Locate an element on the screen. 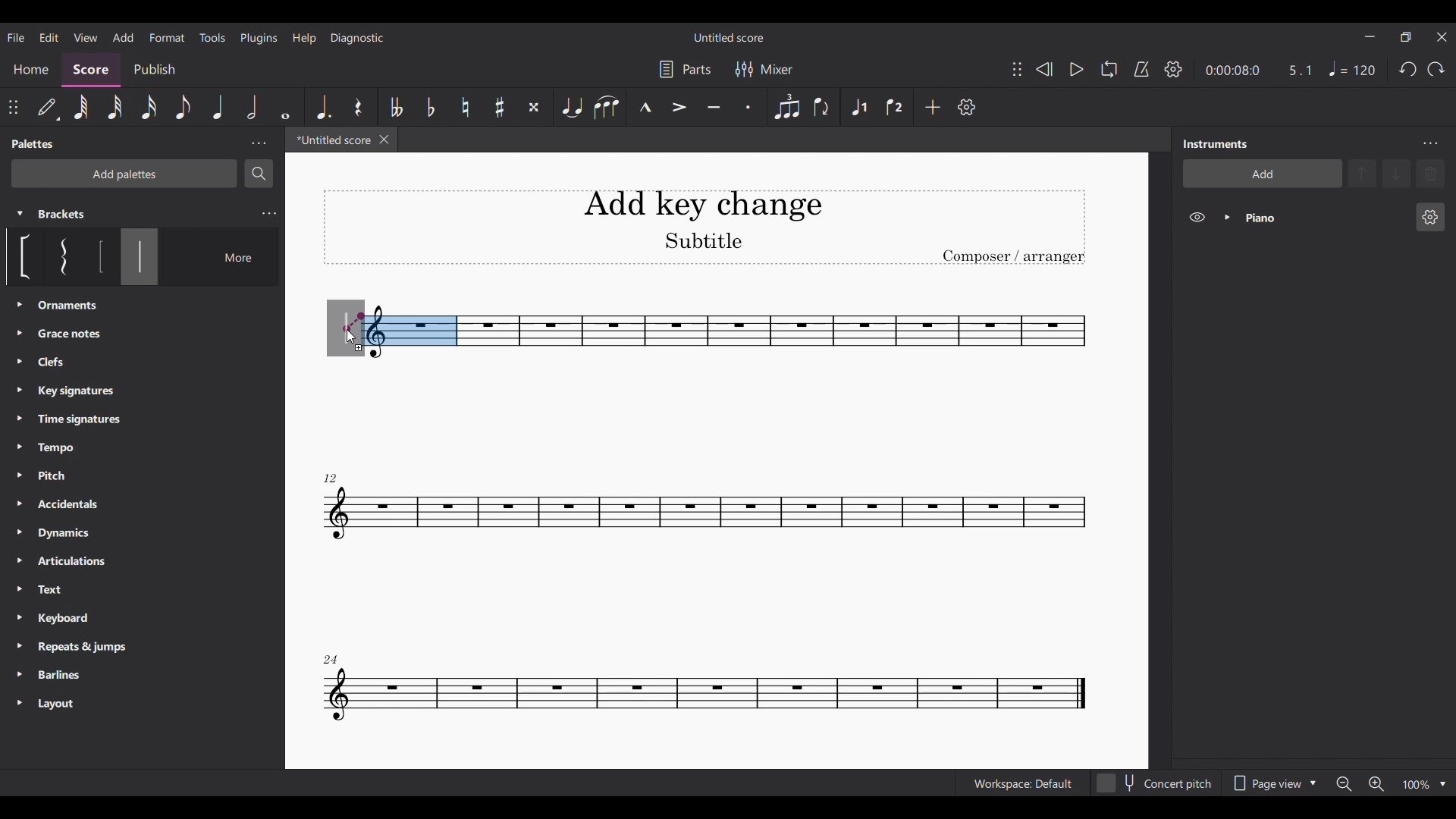 The image size is (1456, 819). 8th note is located at coordinates (184, 107).